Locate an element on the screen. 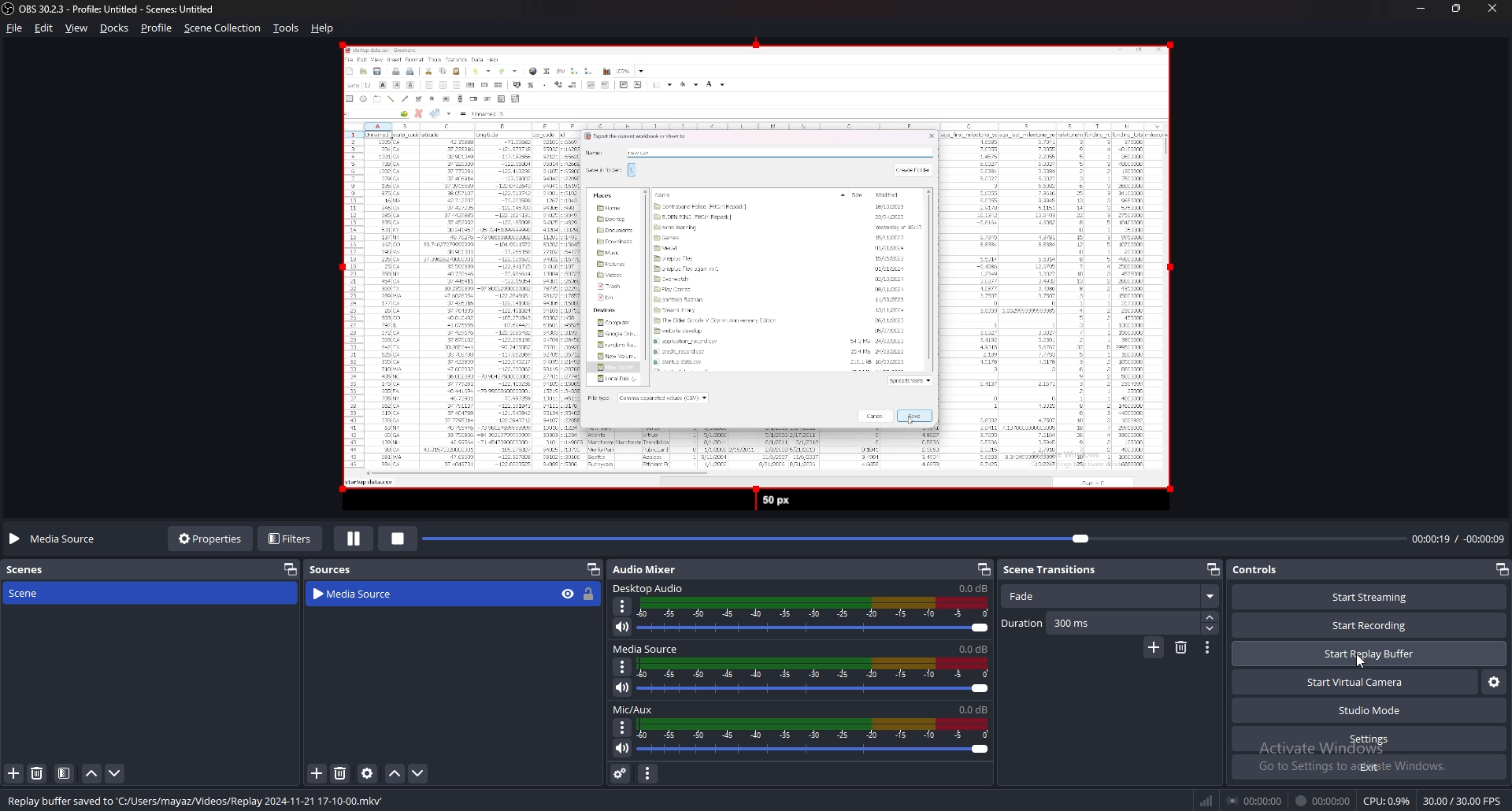  decrease duration is located at coordinates (1212, 629).